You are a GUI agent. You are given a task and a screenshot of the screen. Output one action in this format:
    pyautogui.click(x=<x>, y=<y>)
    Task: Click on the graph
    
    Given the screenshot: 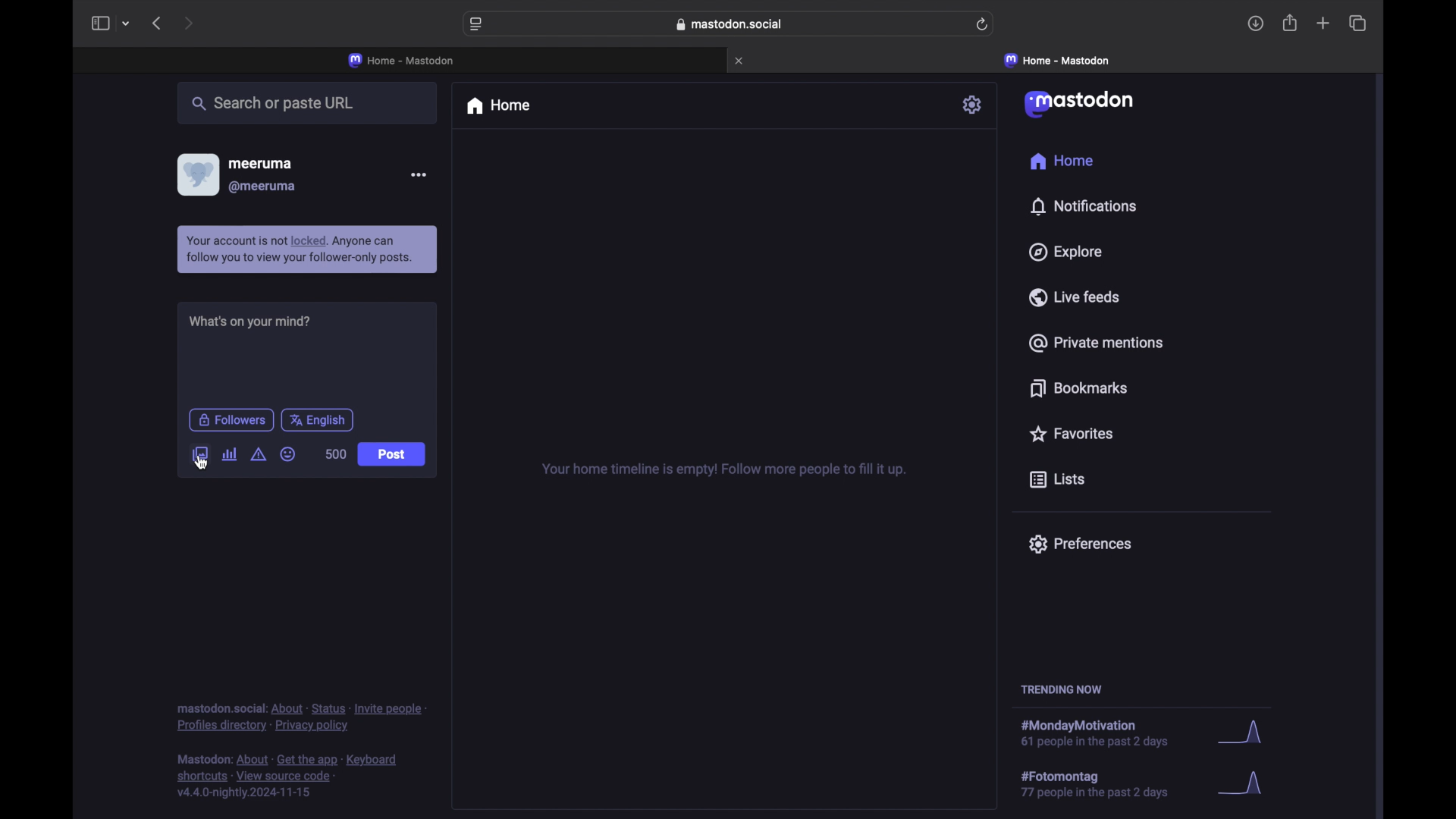 What is the action you would take?
    pyautogui.click(x=1240, y=728)
    